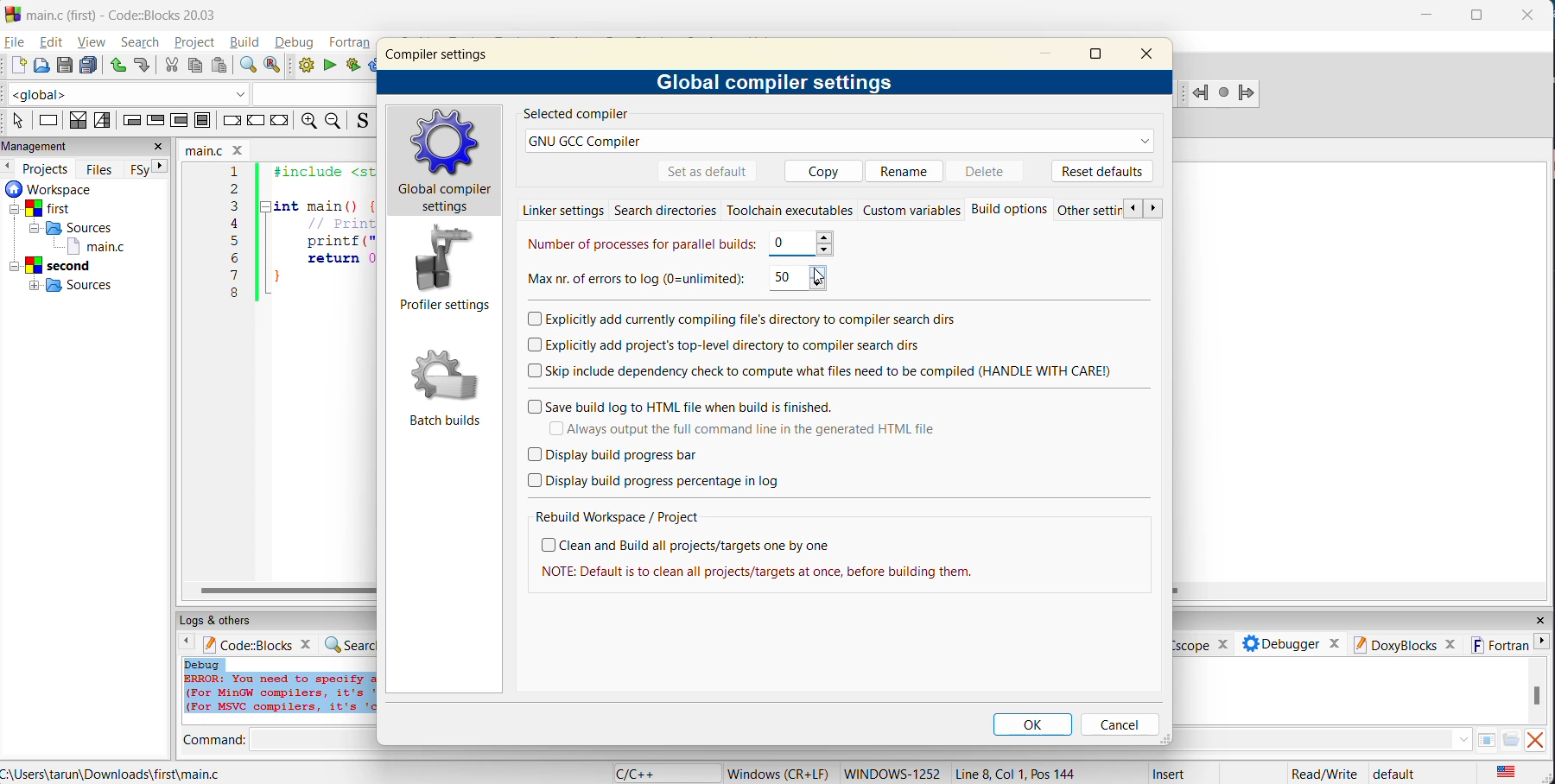 This screenshot has width=1555, height=784. What do you see at coordinates (333, 121) in the screenshot?
I see `zoom out` at bounding box center [333, 121].